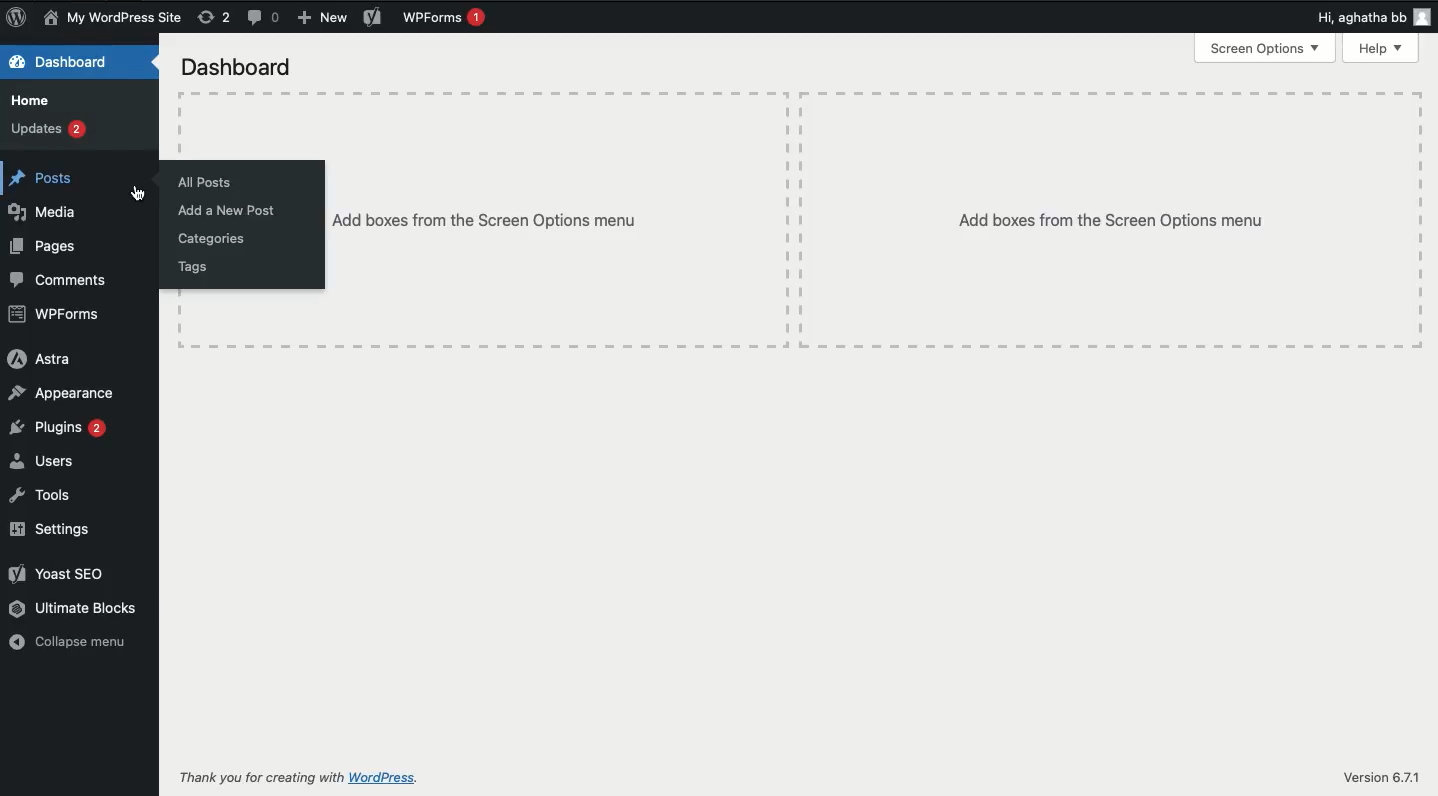  What do you see at coordinates (45, 246) in the screenshot?
I see `Pages` at bounding box center [45, 246].